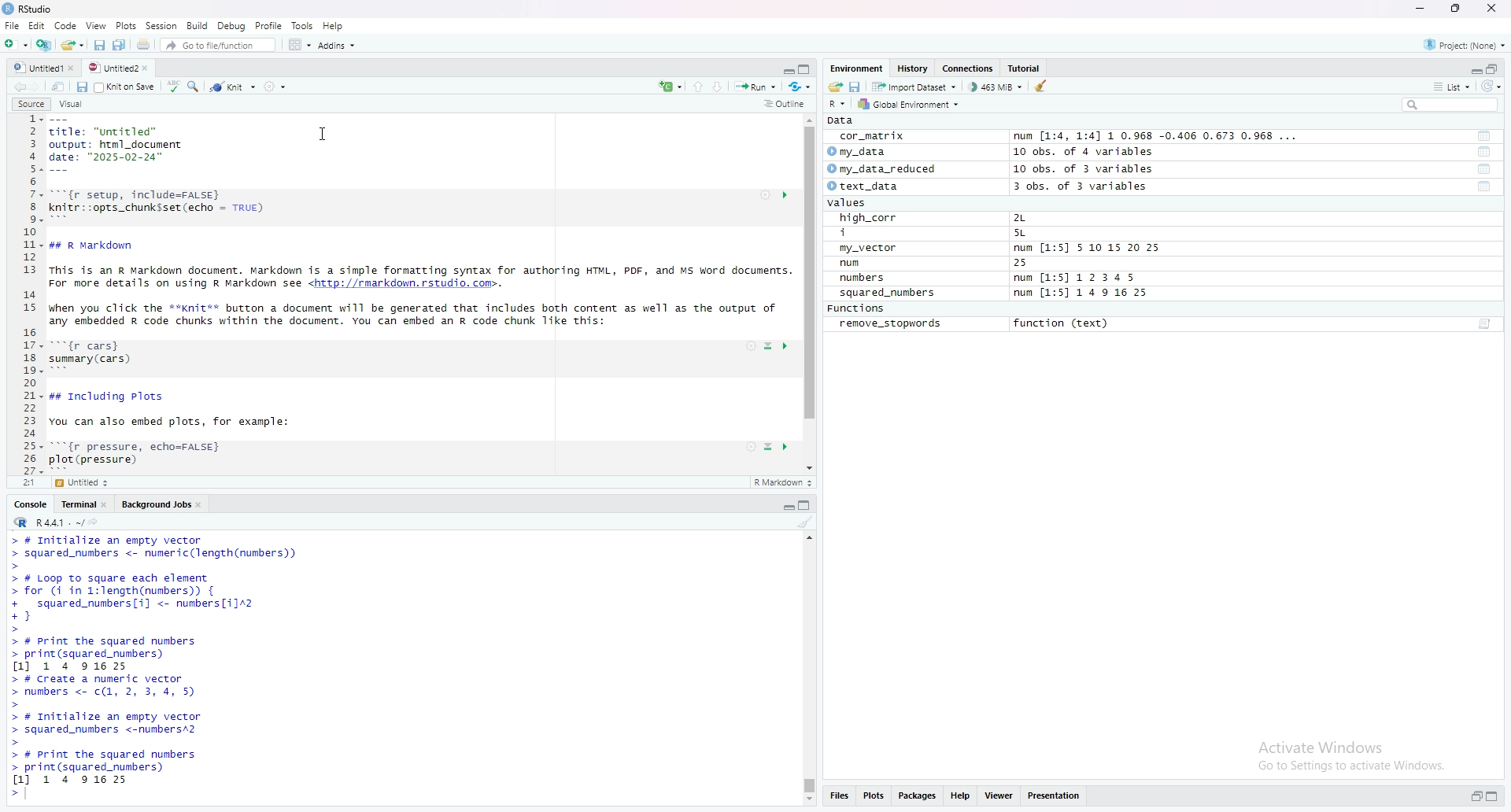  What do you see at coordinates (98, 522) in the screenshot?
I see `view the current working` at bounding box center [98, 522].